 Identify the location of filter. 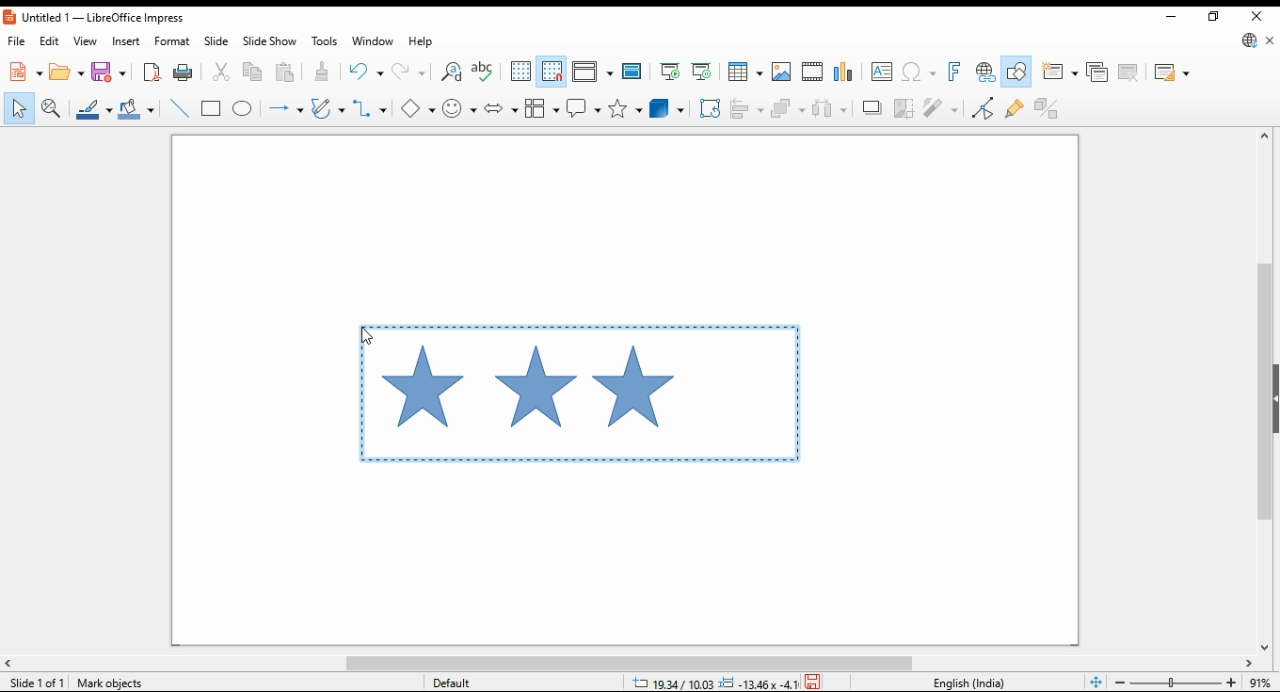
(942, 107).